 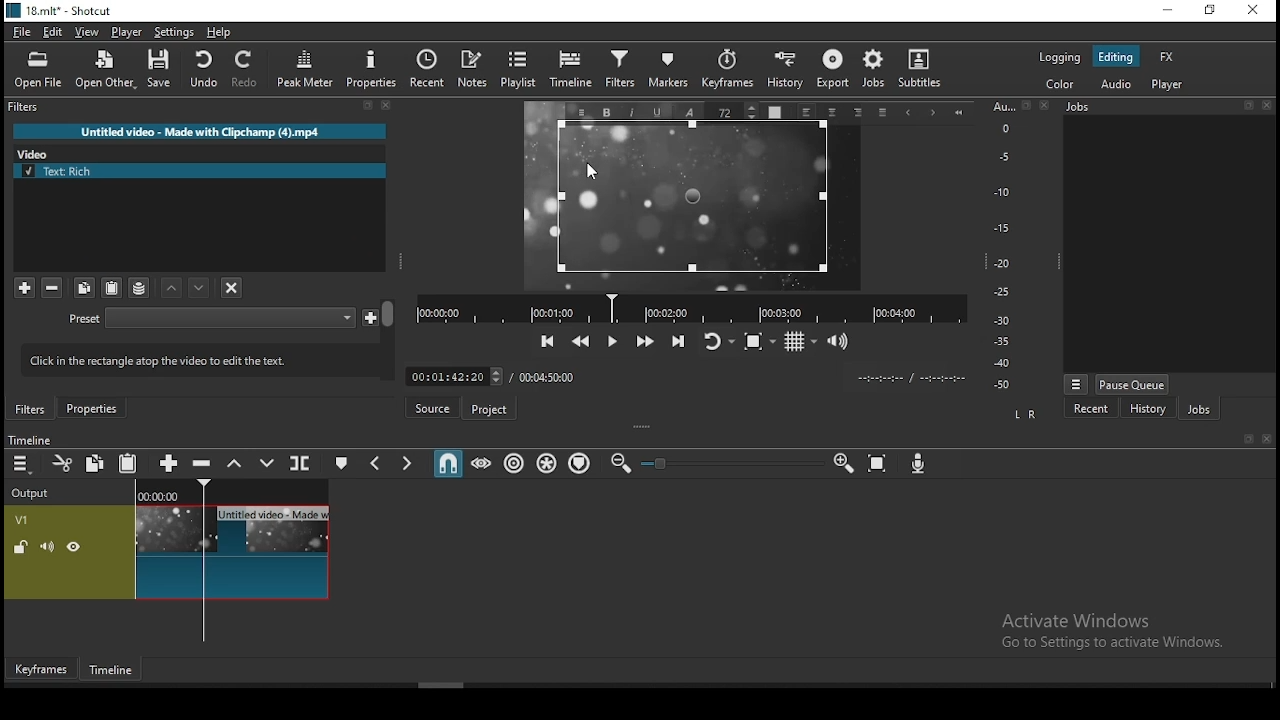 I want to click on zoom timeline to fit, so click(x=878, y=463).